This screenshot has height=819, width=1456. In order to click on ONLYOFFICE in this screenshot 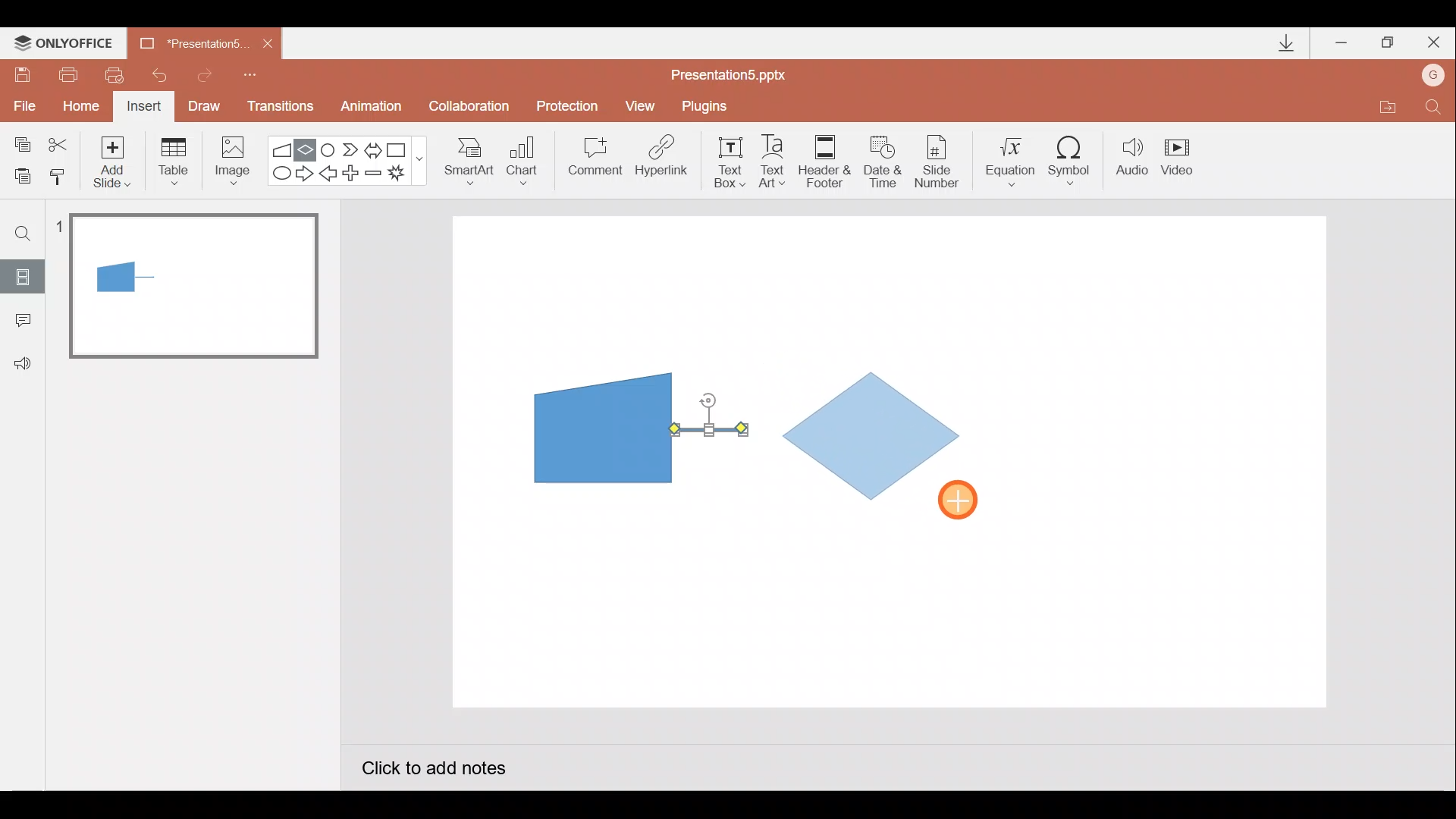, I will do `click(67, 43)`.